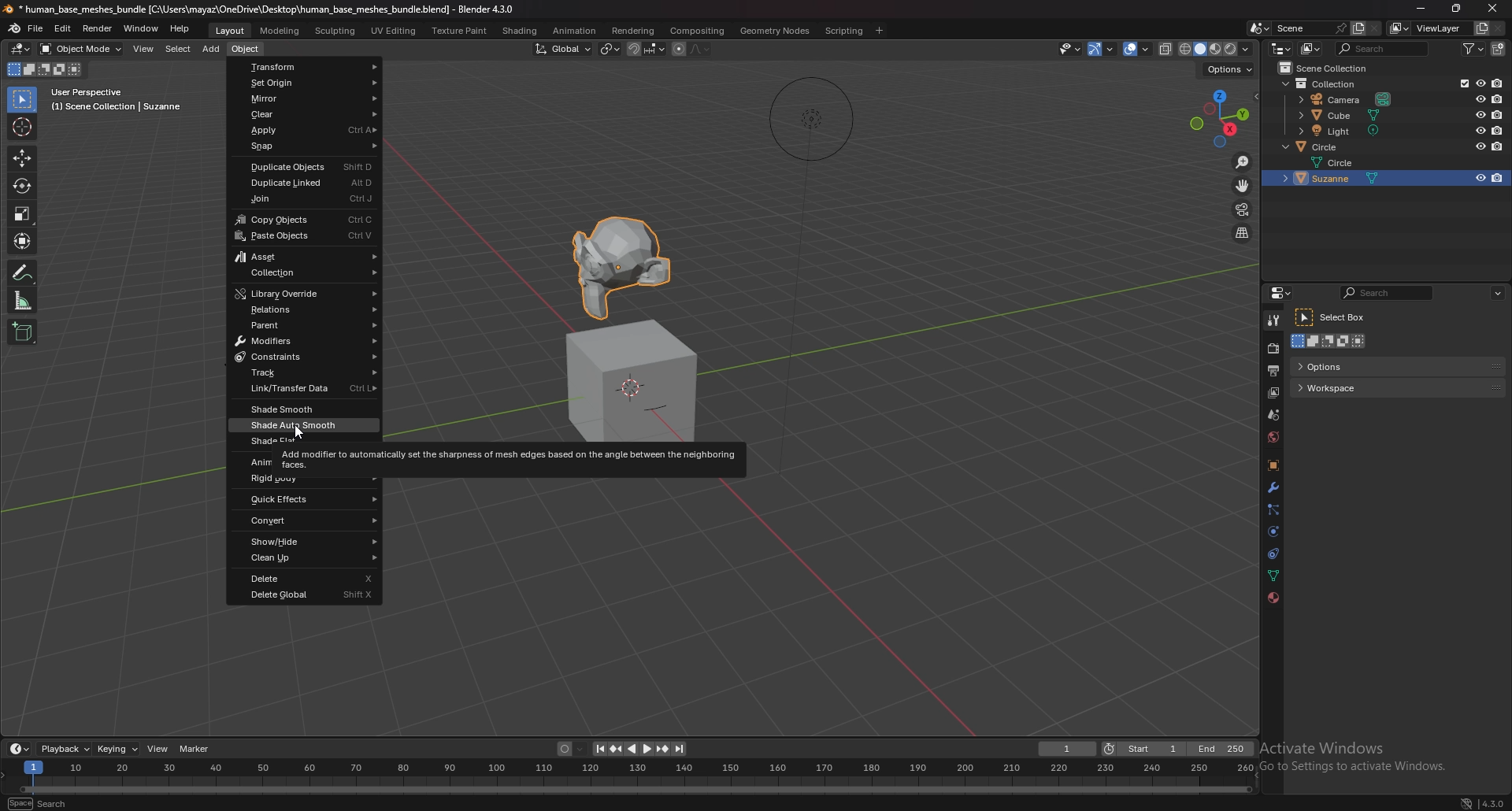 Image resolution: width=1512 pixels, height=811 pixels. What do you see at coordinates (1429, 28) in the screenshot?
I see `view layer` at bounding box center [1429, 28].